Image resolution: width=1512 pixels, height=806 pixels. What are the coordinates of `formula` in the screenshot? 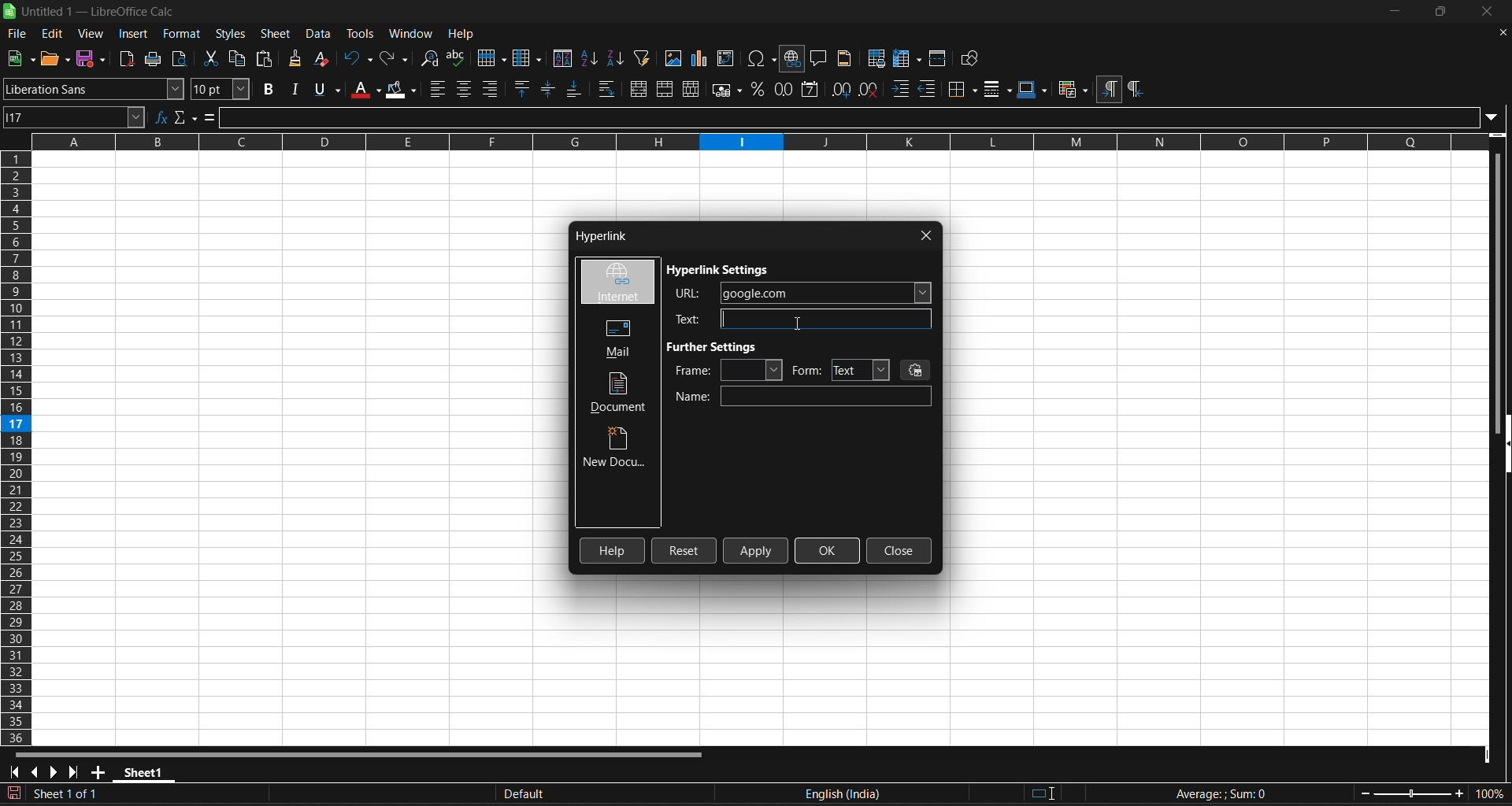 It's located at (210, 116).